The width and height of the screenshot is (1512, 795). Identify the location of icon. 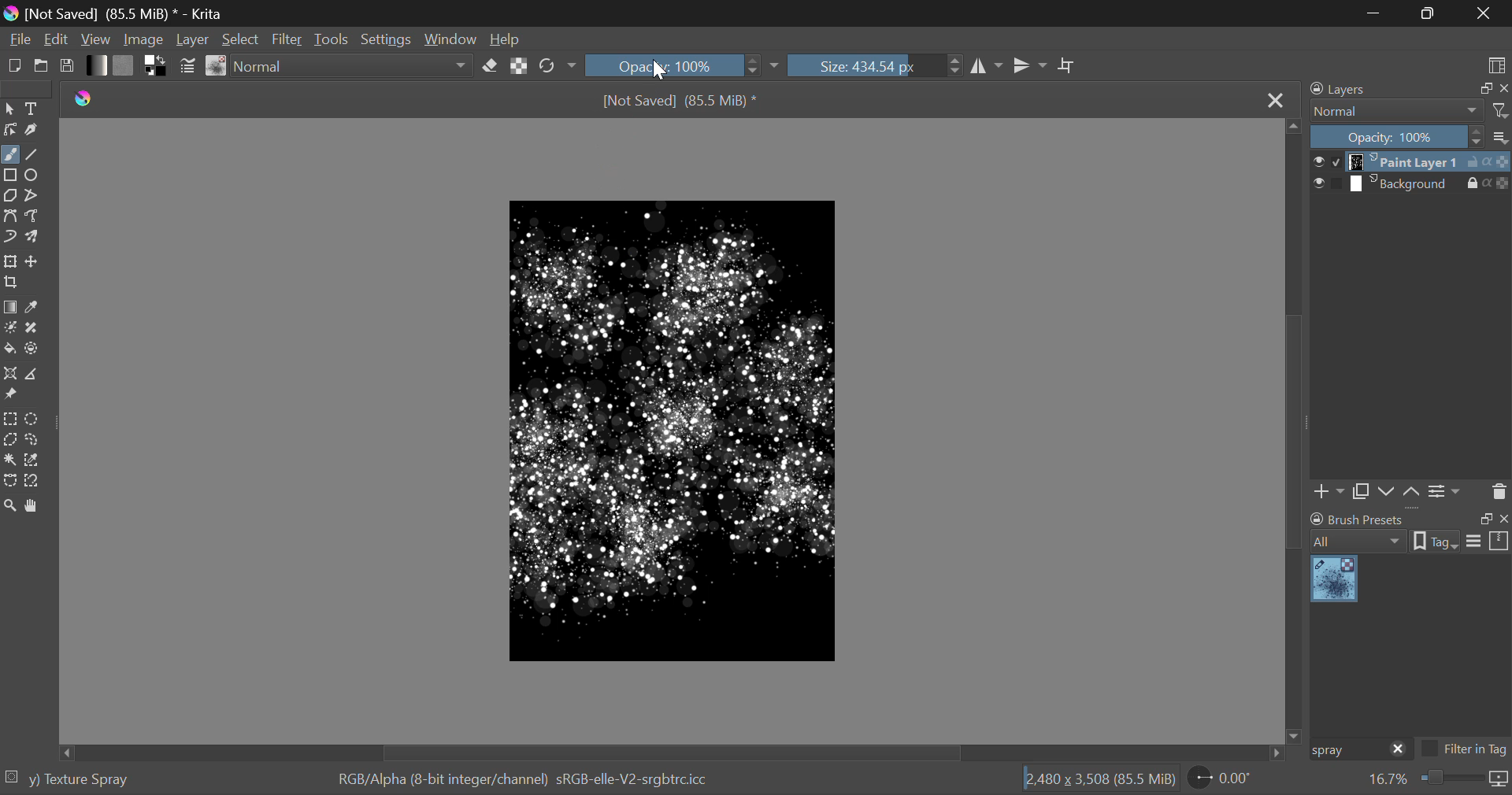
(1499, 780).